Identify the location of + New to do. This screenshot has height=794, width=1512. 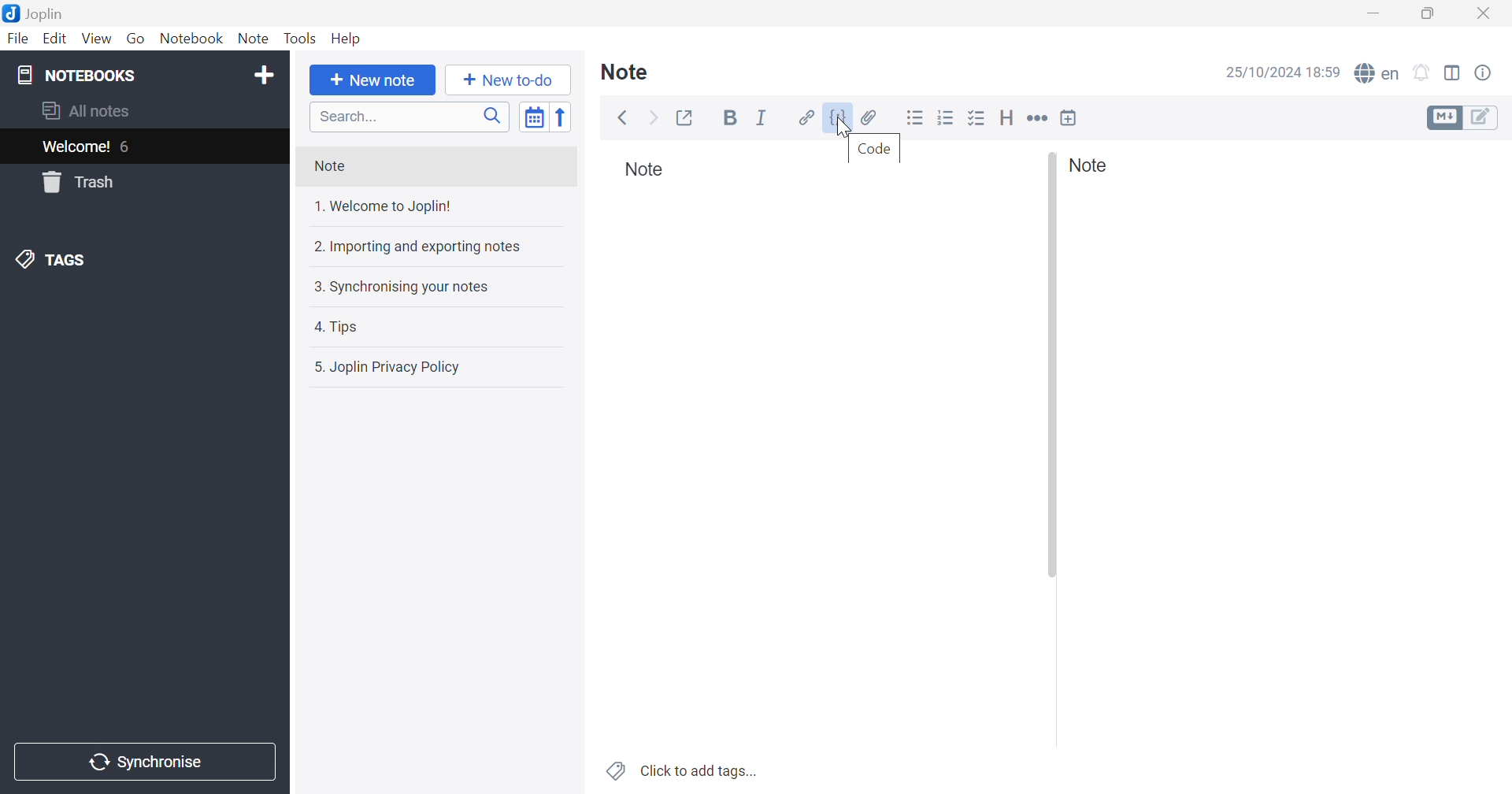
(507, 82).